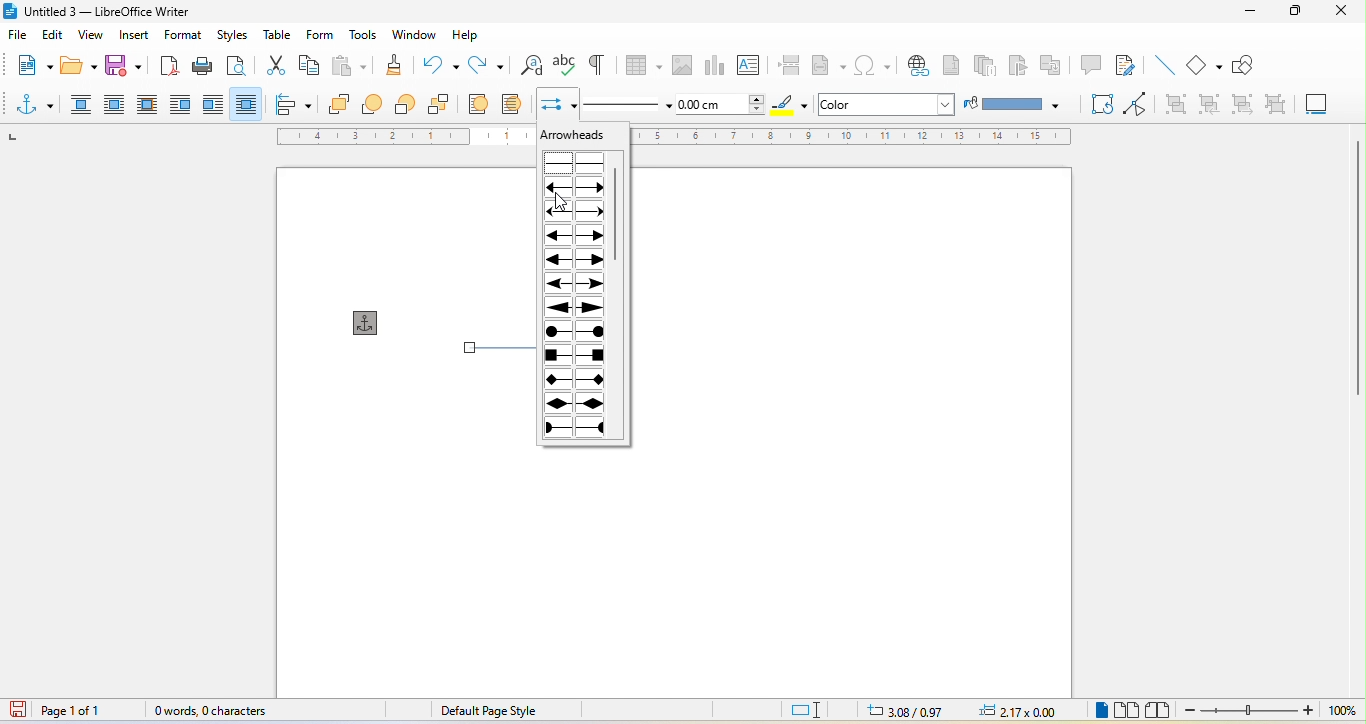  Describe the element at coordinates (407, 106) in the screenshot. I see `back one` at that location.